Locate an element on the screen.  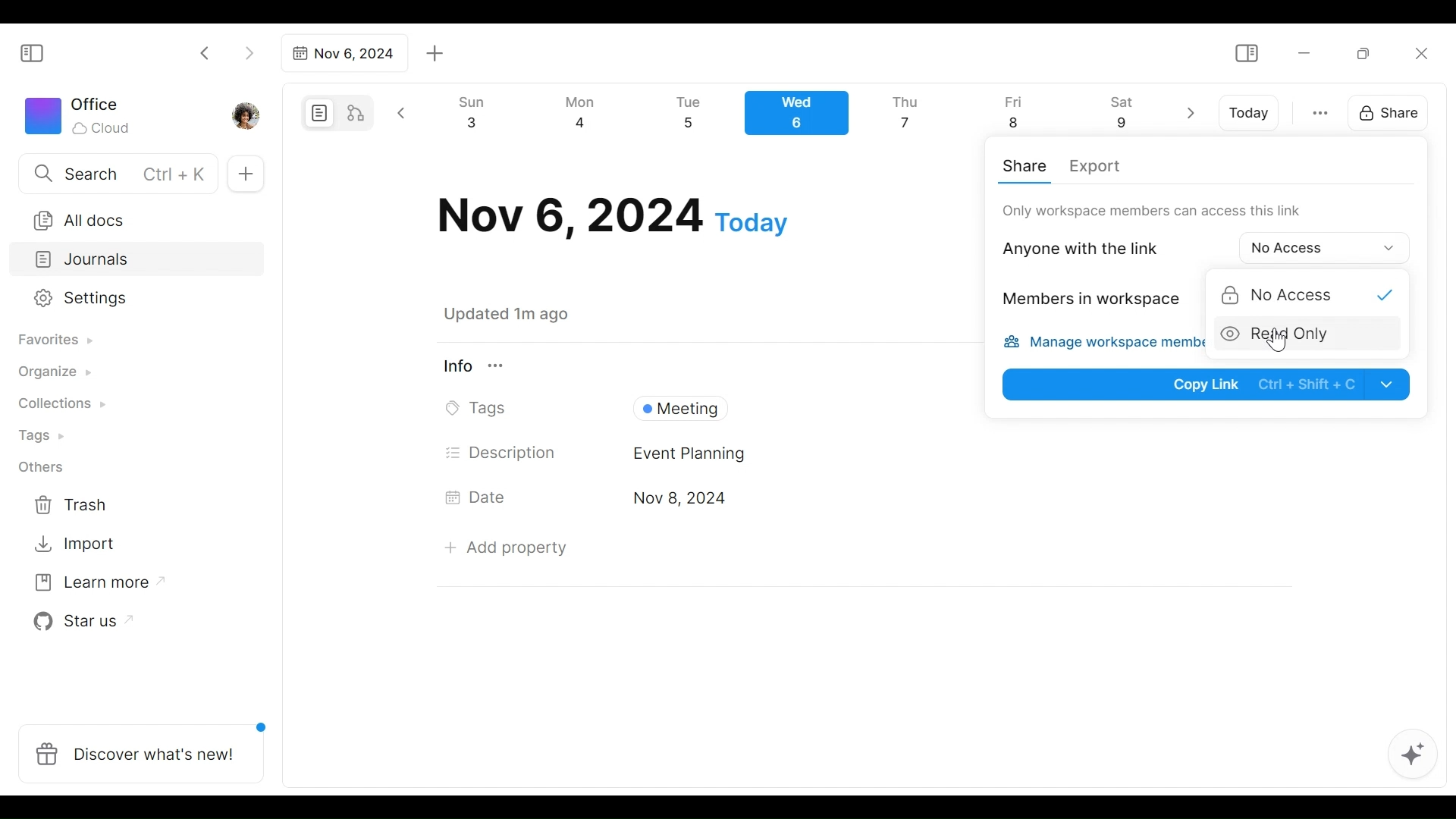
Saved is located at coordinates (525, 314).